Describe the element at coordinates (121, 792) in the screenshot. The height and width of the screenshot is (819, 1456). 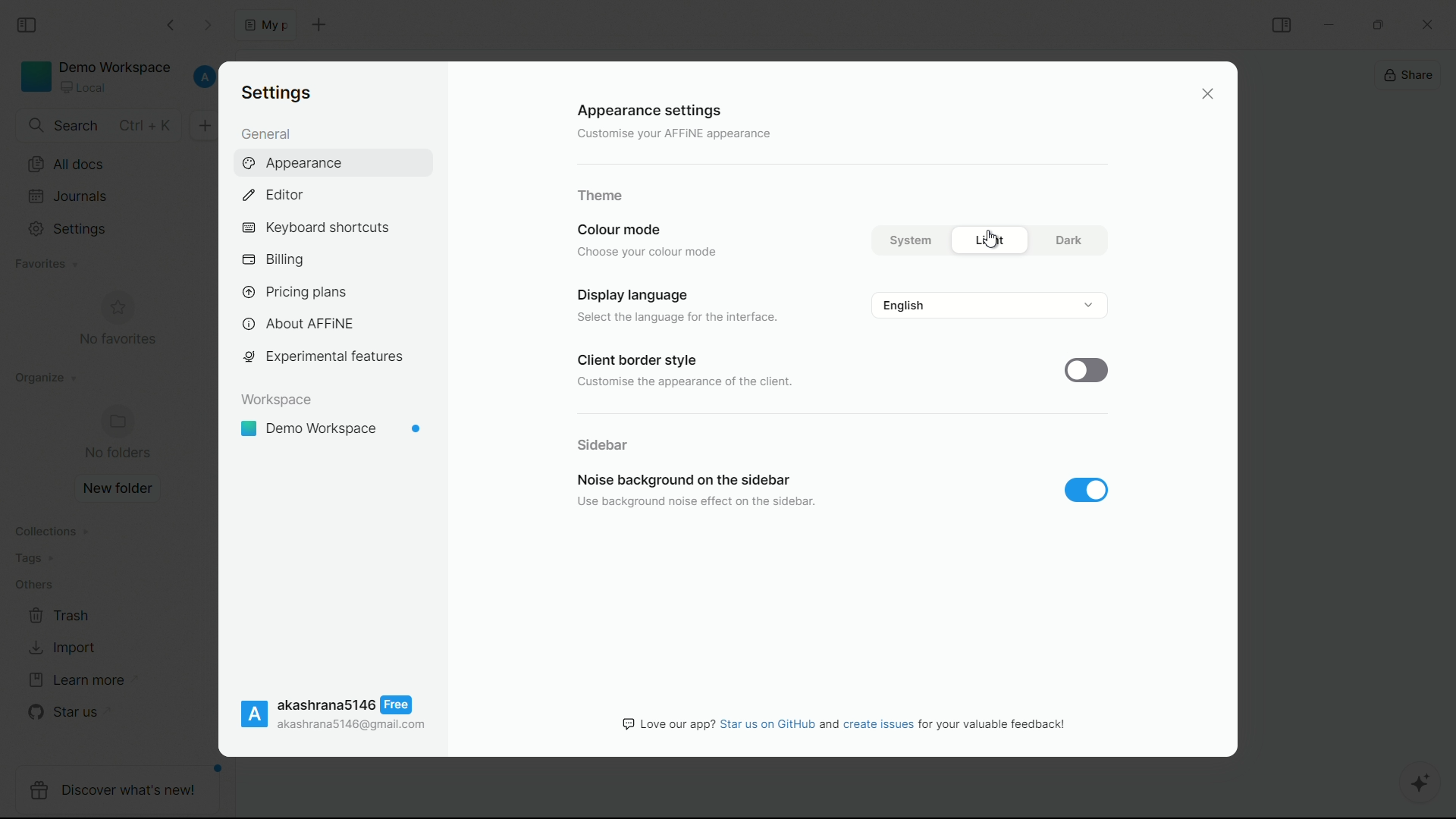
I see `Discover What's new` at that location.